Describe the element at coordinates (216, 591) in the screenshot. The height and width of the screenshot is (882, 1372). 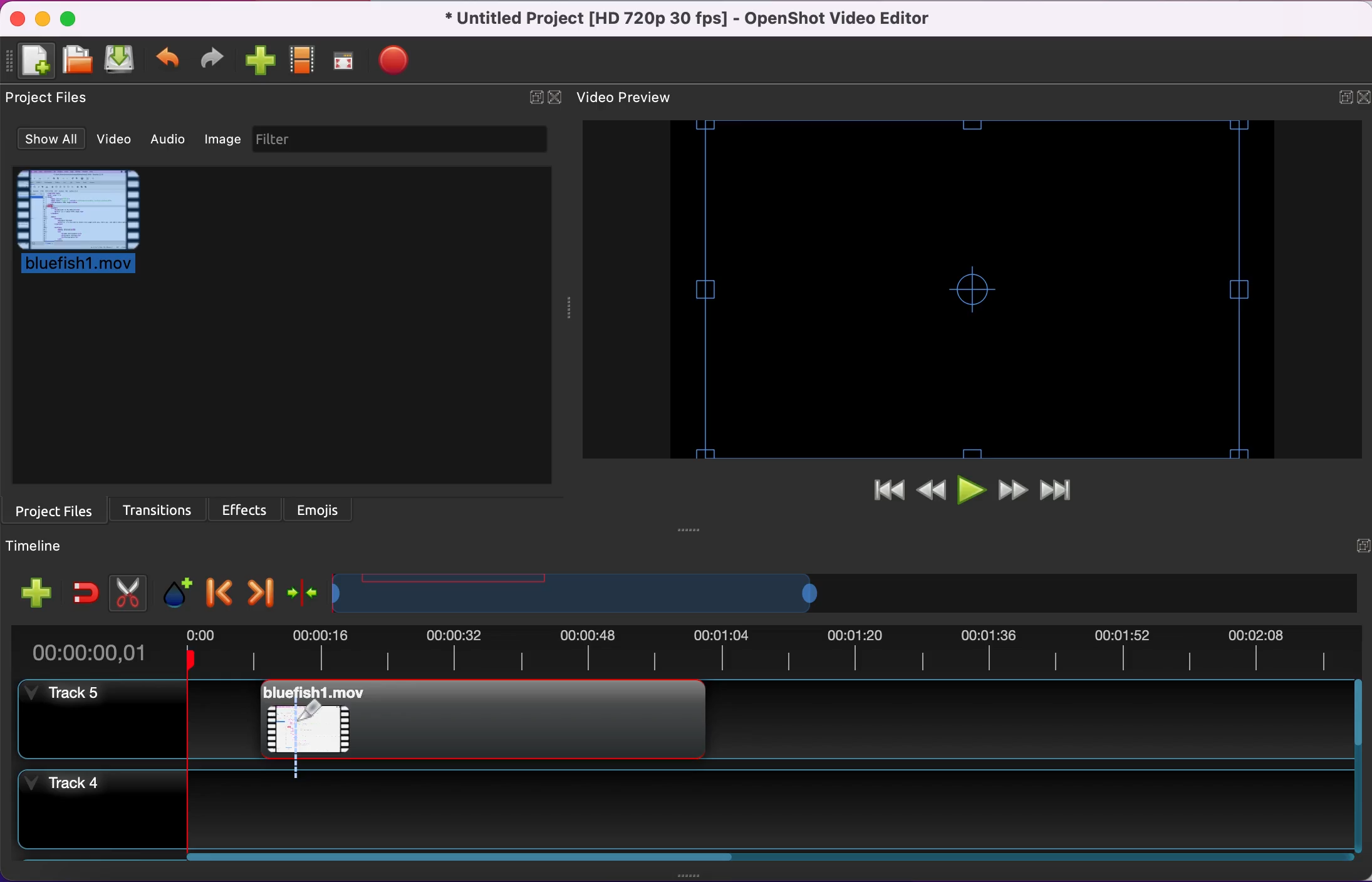
I see `previous marker` at that location.